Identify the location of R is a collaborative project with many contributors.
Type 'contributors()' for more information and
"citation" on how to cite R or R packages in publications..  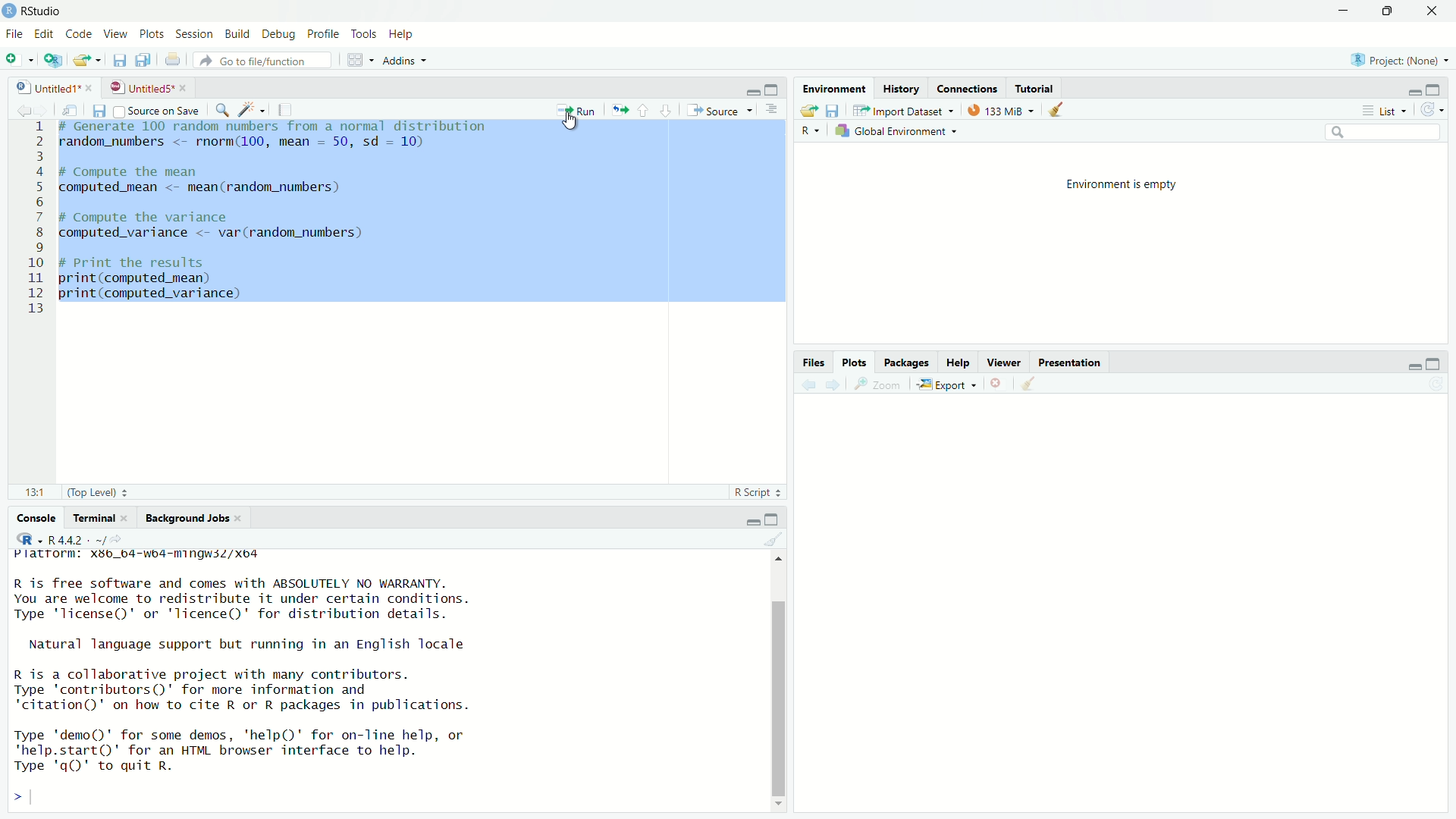
(252, 690).